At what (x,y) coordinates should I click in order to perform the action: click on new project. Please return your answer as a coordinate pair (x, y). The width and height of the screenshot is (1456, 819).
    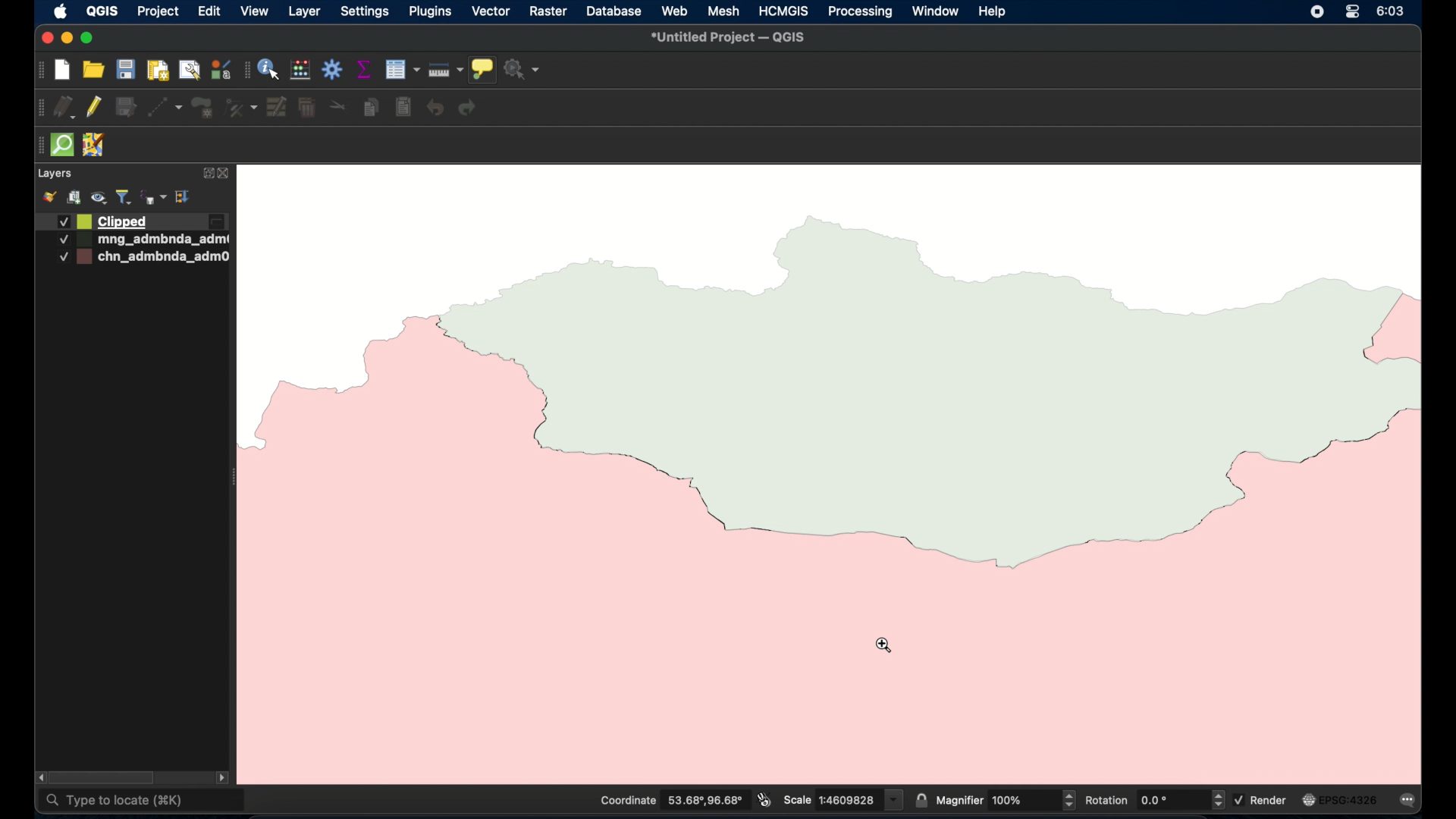
    Looking at the image, I should click on (63, 71).